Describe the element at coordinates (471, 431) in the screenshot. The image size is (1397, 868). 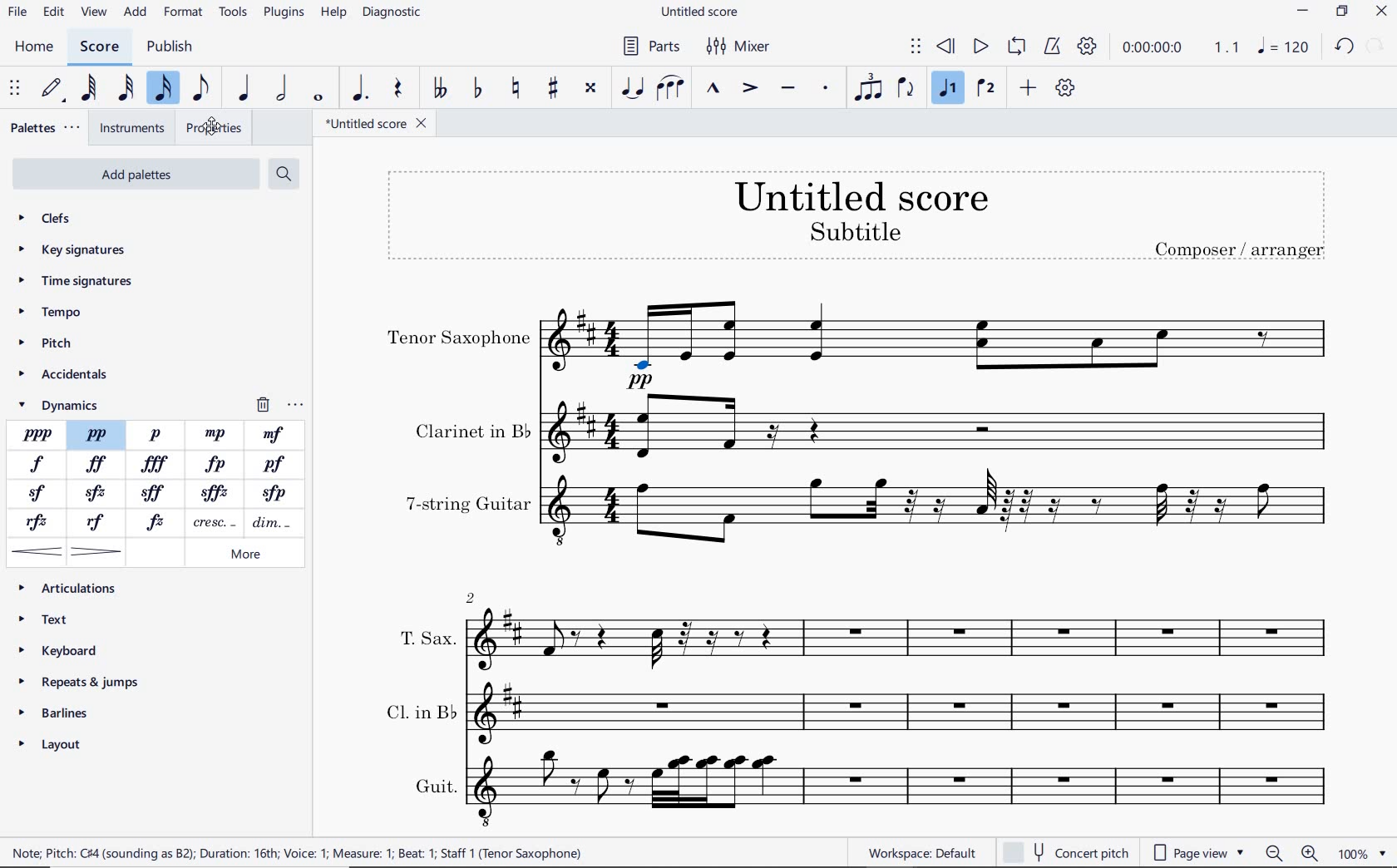
I see `text` at that location.